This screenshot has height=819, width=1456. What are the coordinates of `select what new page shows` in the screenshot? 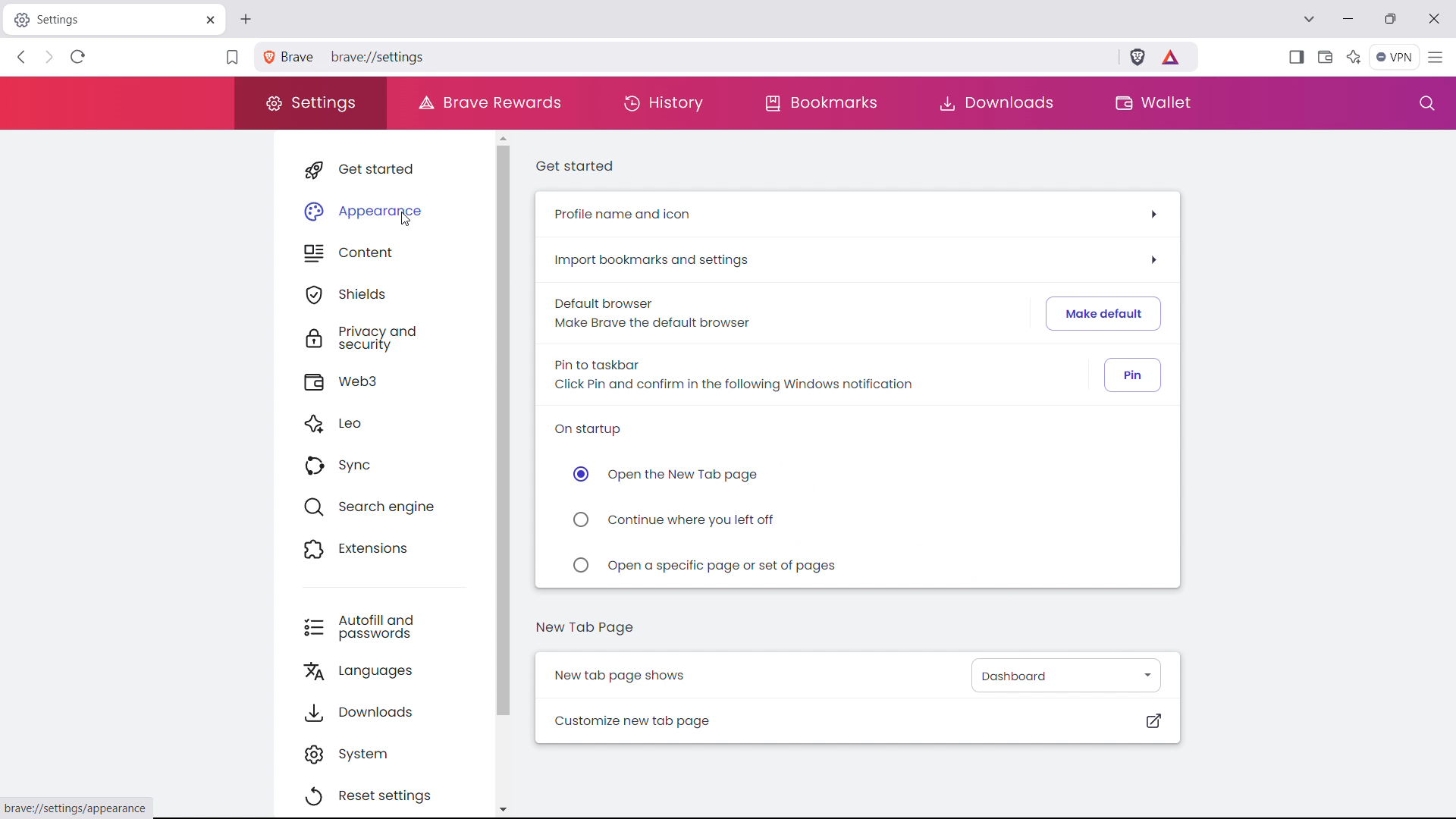 It's located at (1065, 676).